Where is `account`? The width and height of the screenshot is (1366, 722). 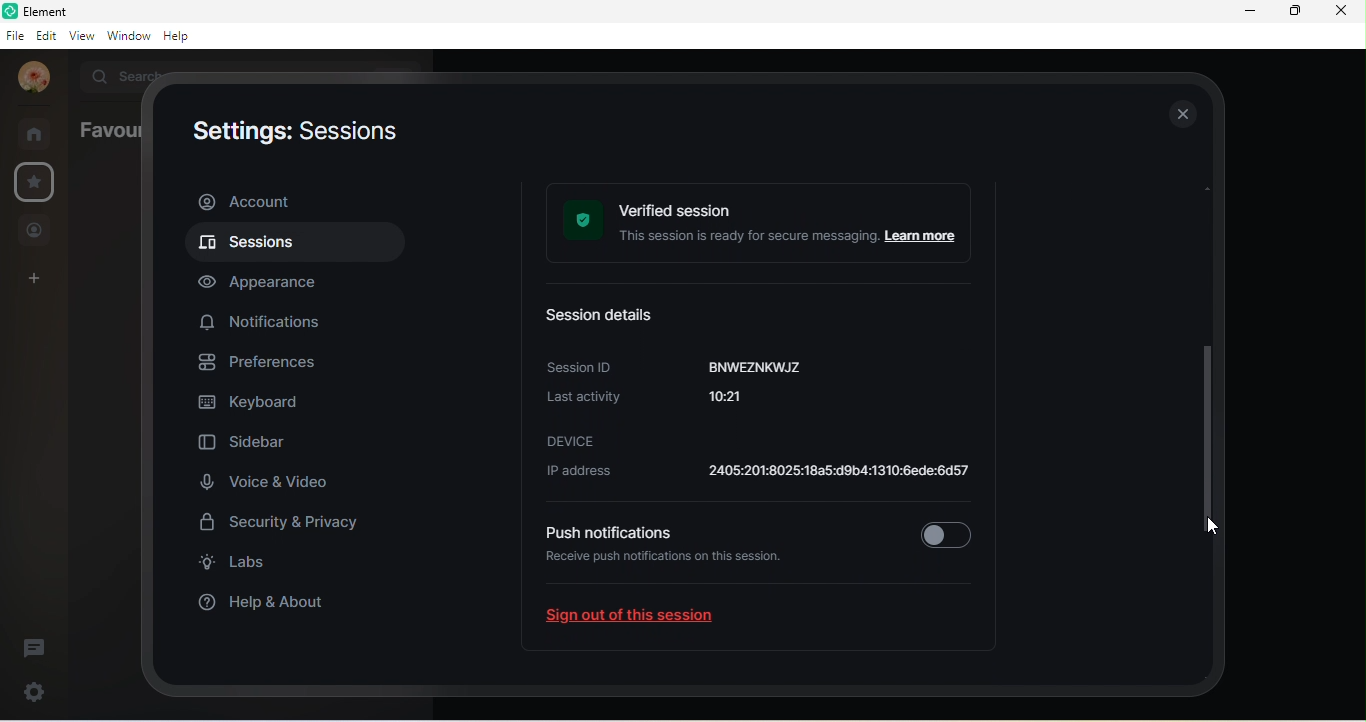 account is located at coordinates (33, 77).